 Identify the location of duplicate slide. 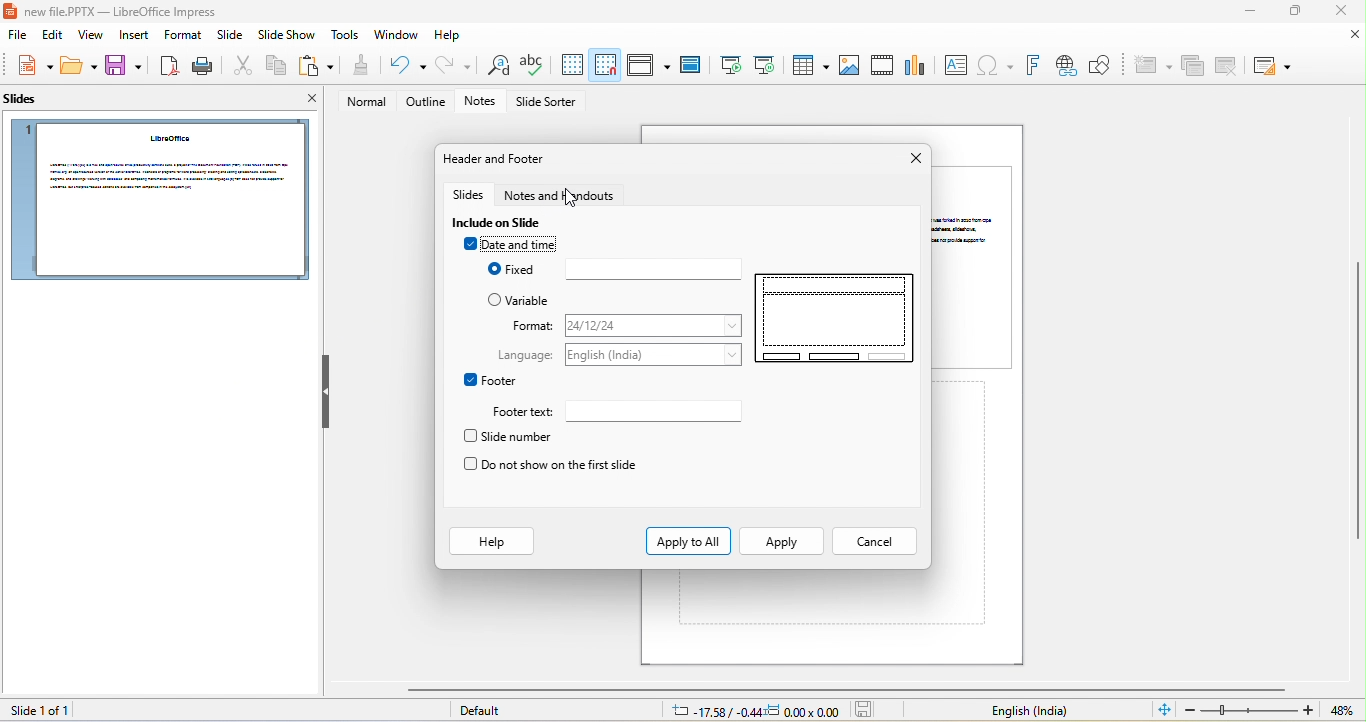
(1193, 67).